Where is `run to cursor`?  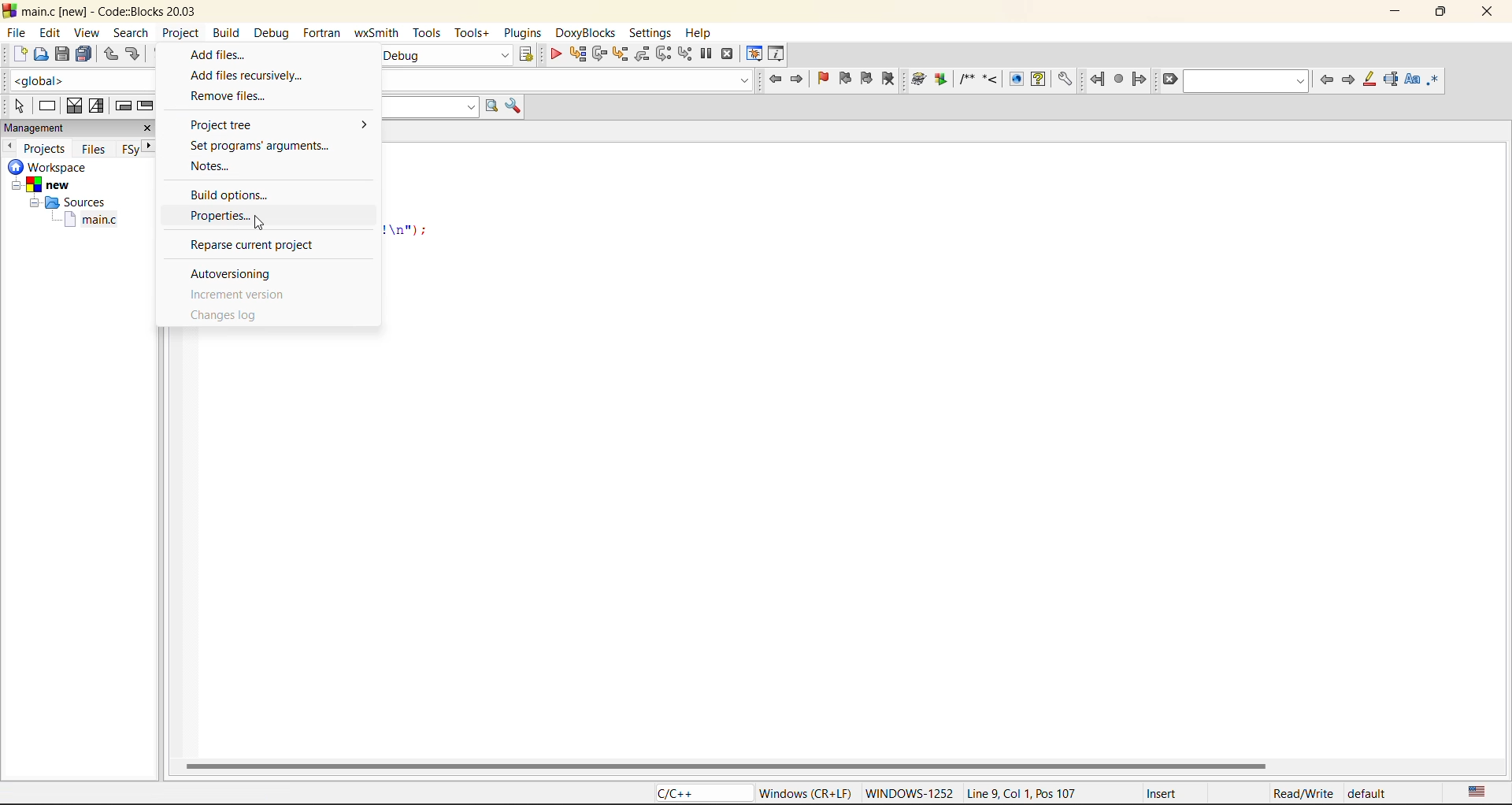
run to cursor is located at coordinates (579, 54).